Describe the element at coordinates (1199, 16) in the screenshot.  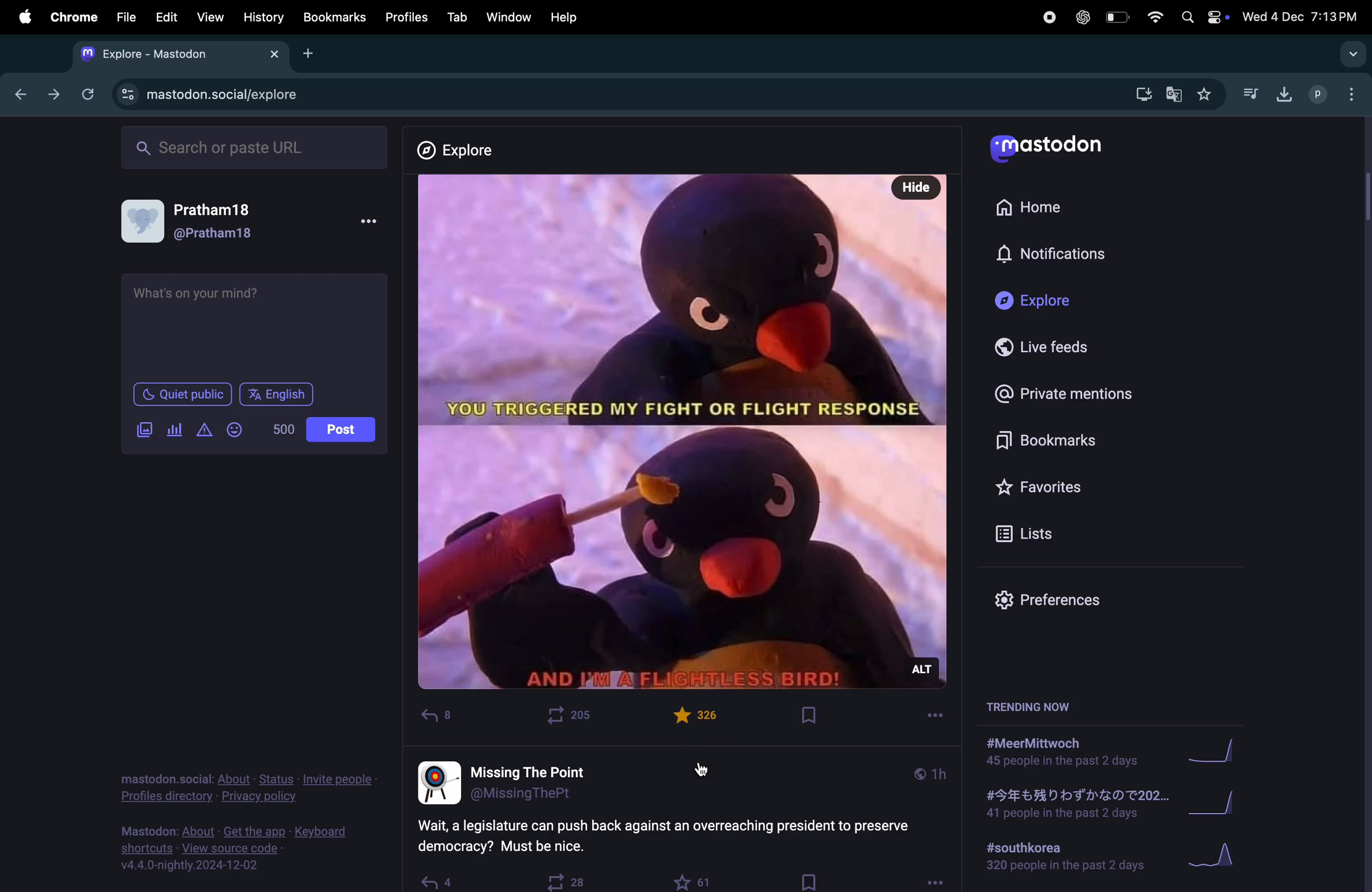
I see `apple widgets` at that location.